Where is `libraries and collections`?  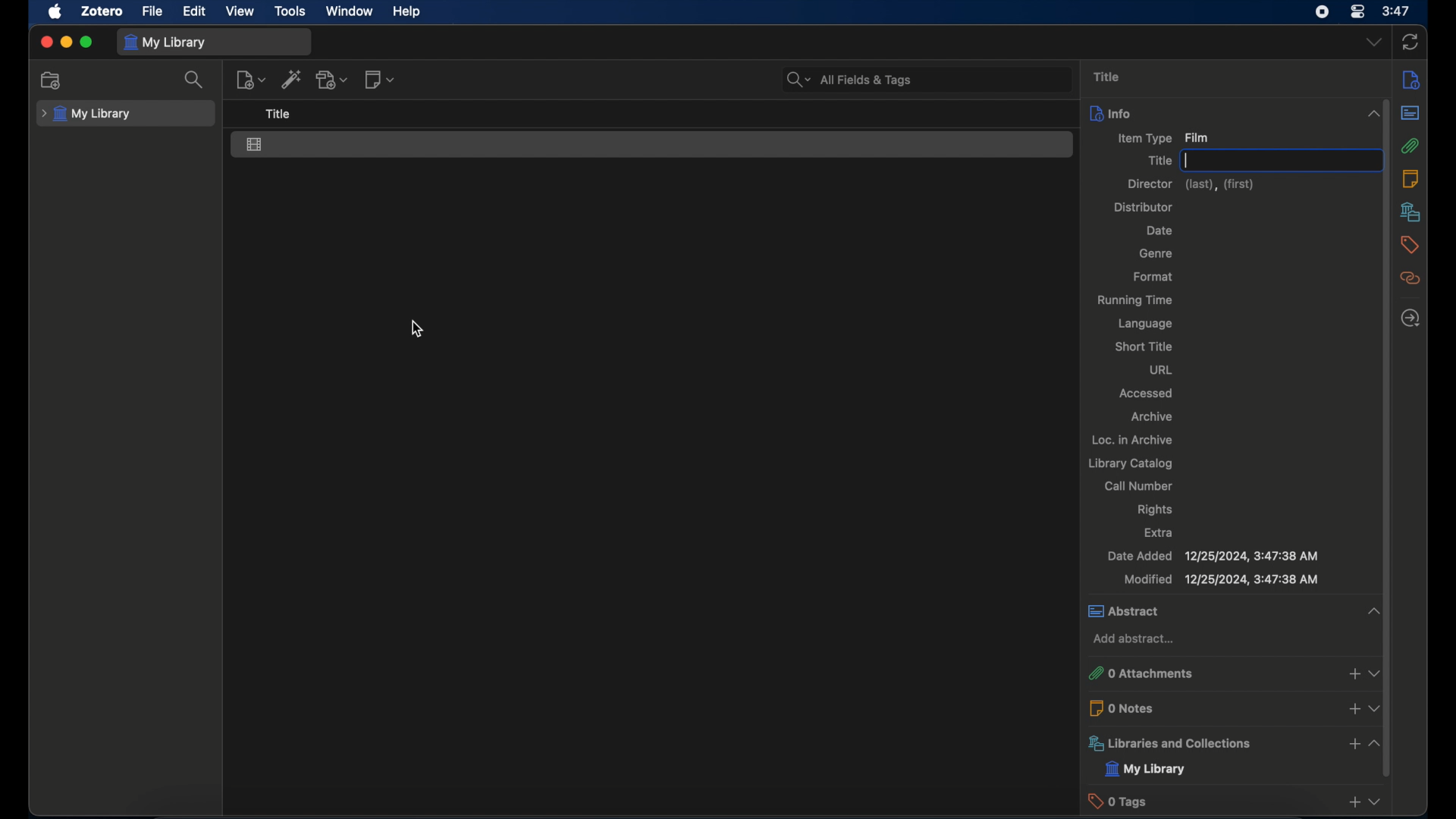 libraries and collections is located at coordinates (1193, 743).